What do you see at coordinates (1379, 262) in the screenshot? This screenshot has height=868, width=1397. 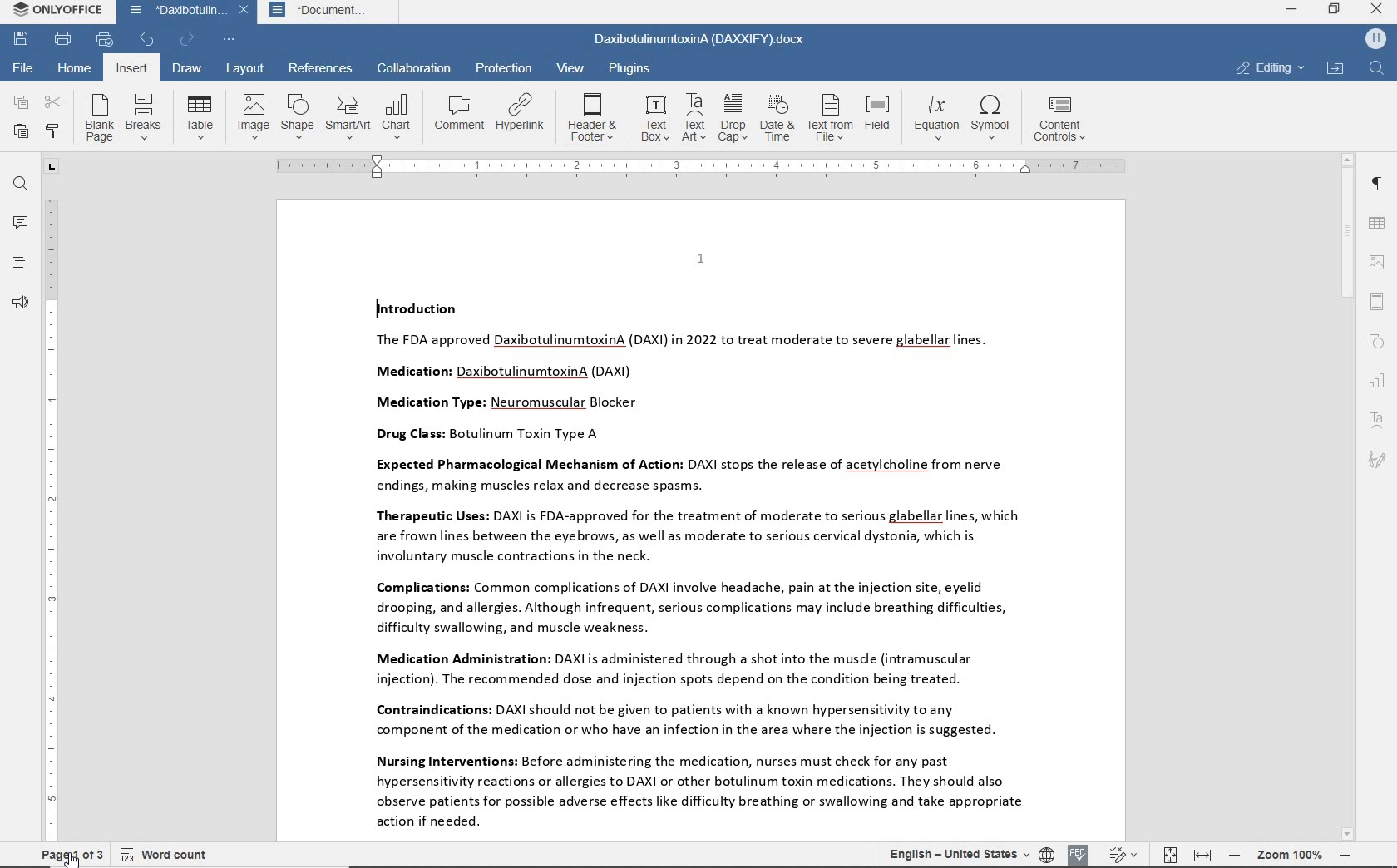 I see `image` at bounding box center [1379, 262].